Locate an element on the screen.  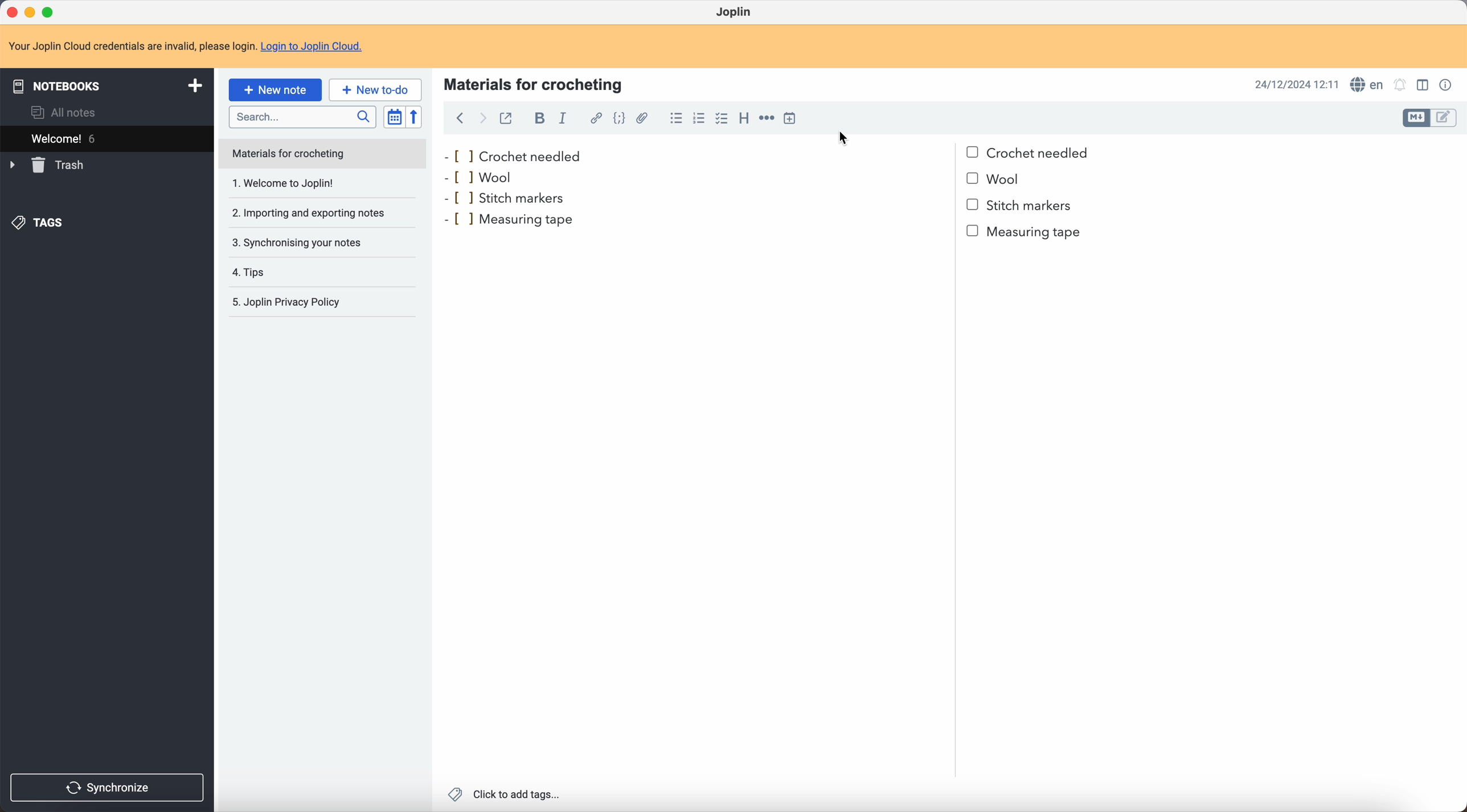
click to add tags is located at coordinates (506, 795).